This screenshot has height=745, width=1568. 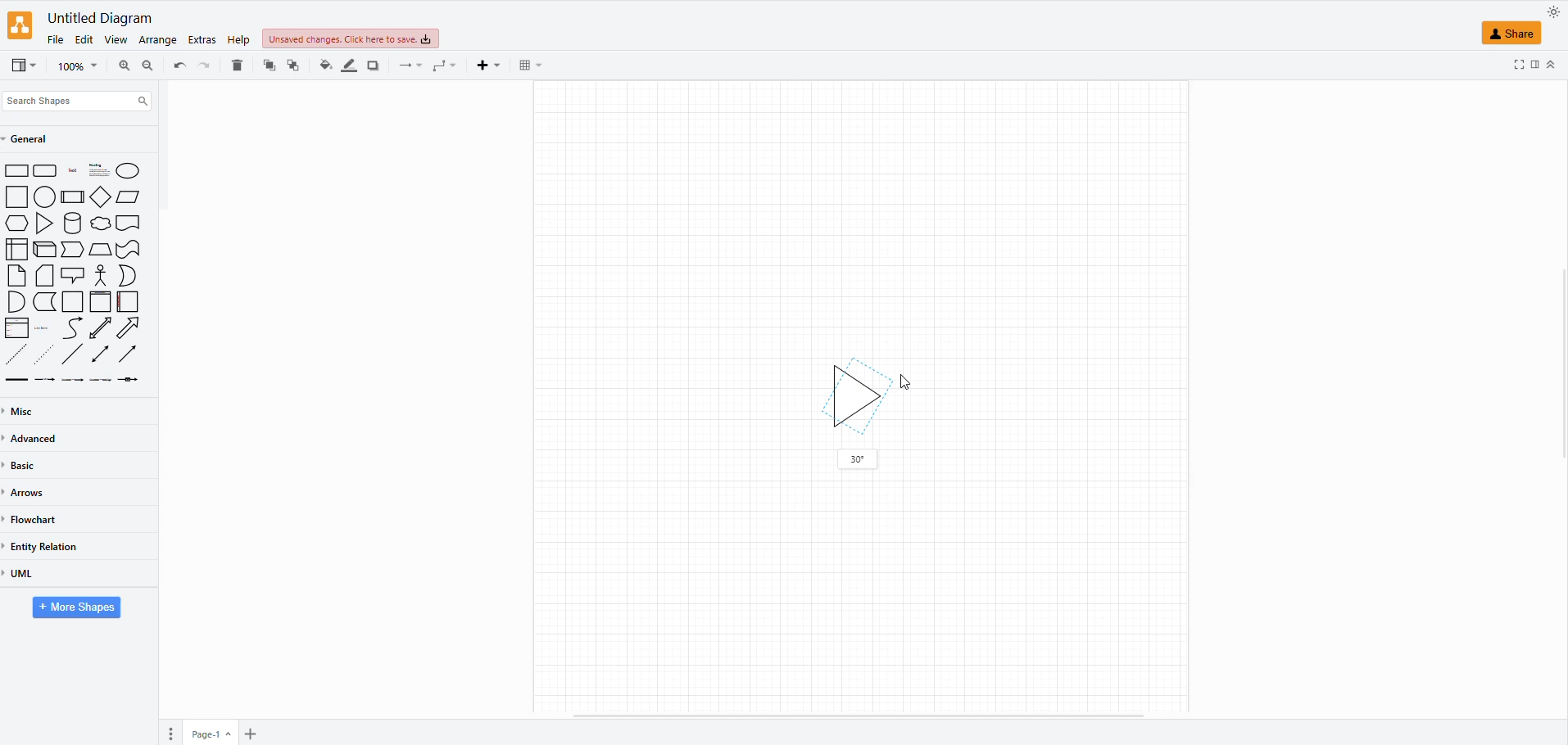 What do you see at coordinates (100, 250) in the screenshot?
I see `Polygon` at bounding box center [100, 250].